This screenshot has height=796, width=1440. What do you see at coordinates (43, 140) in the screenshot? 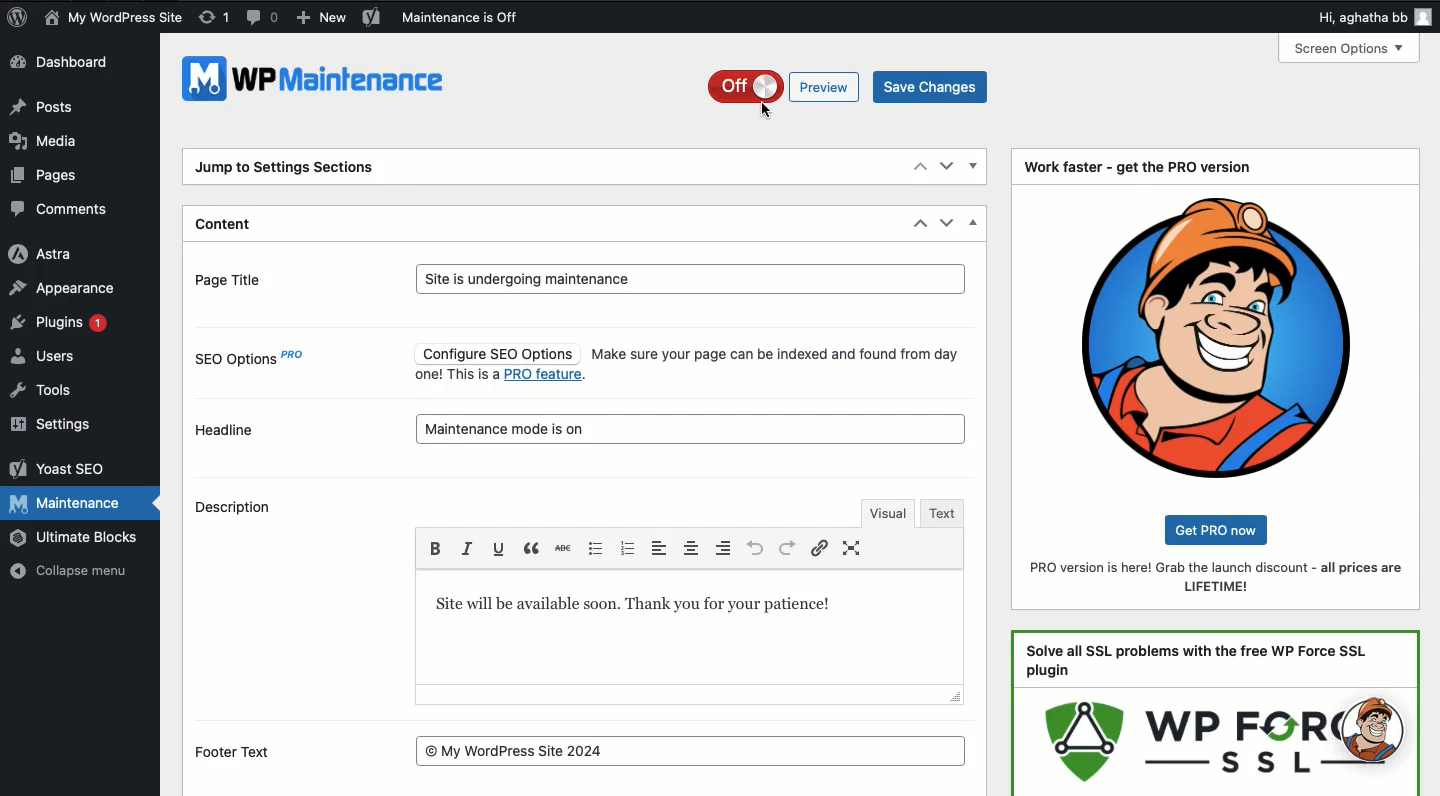
I see `Media` at bounding box center [43, 140].